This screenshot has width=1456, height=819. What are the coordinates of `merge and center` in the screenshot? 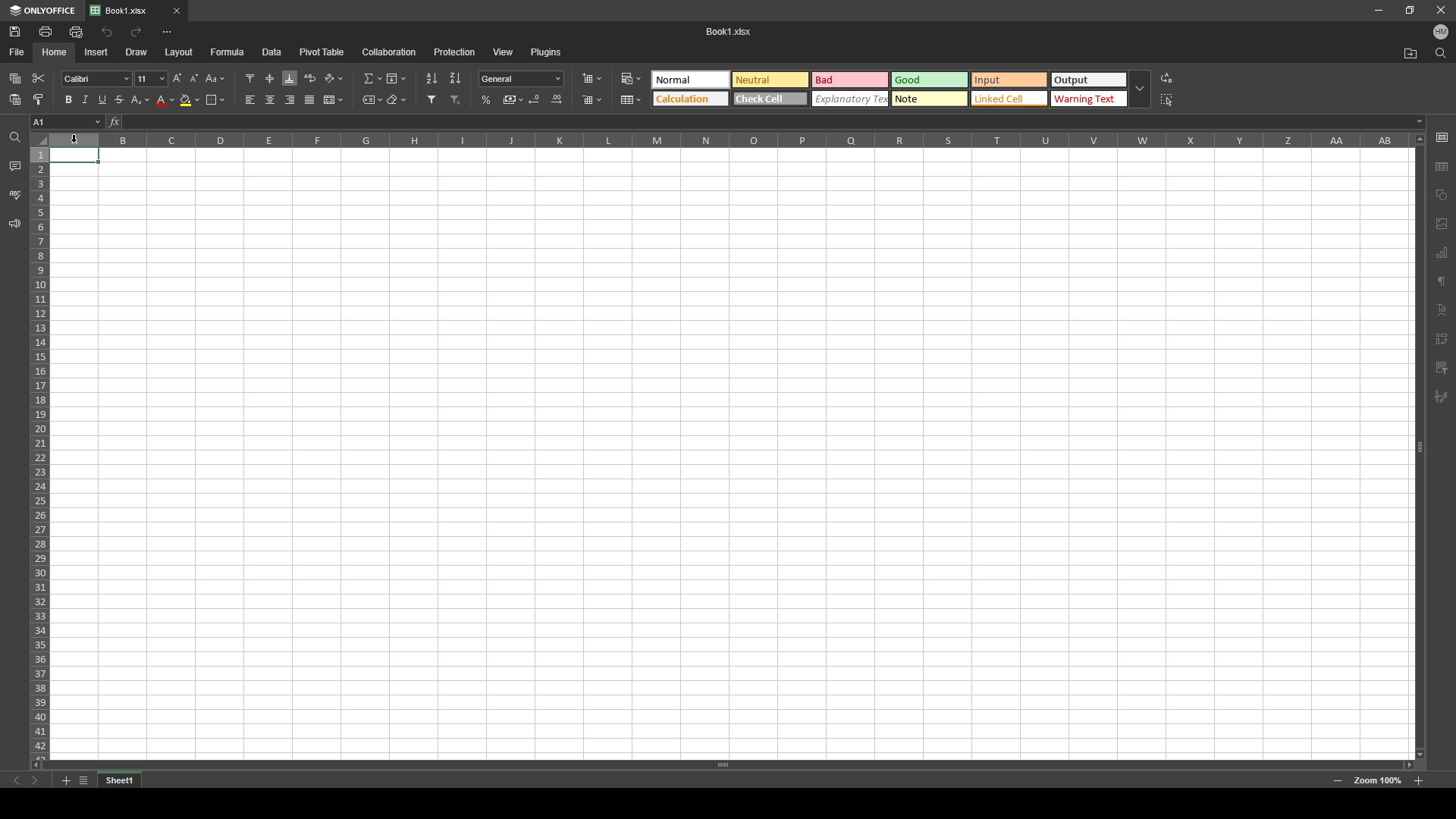 It's located at (333, 99).